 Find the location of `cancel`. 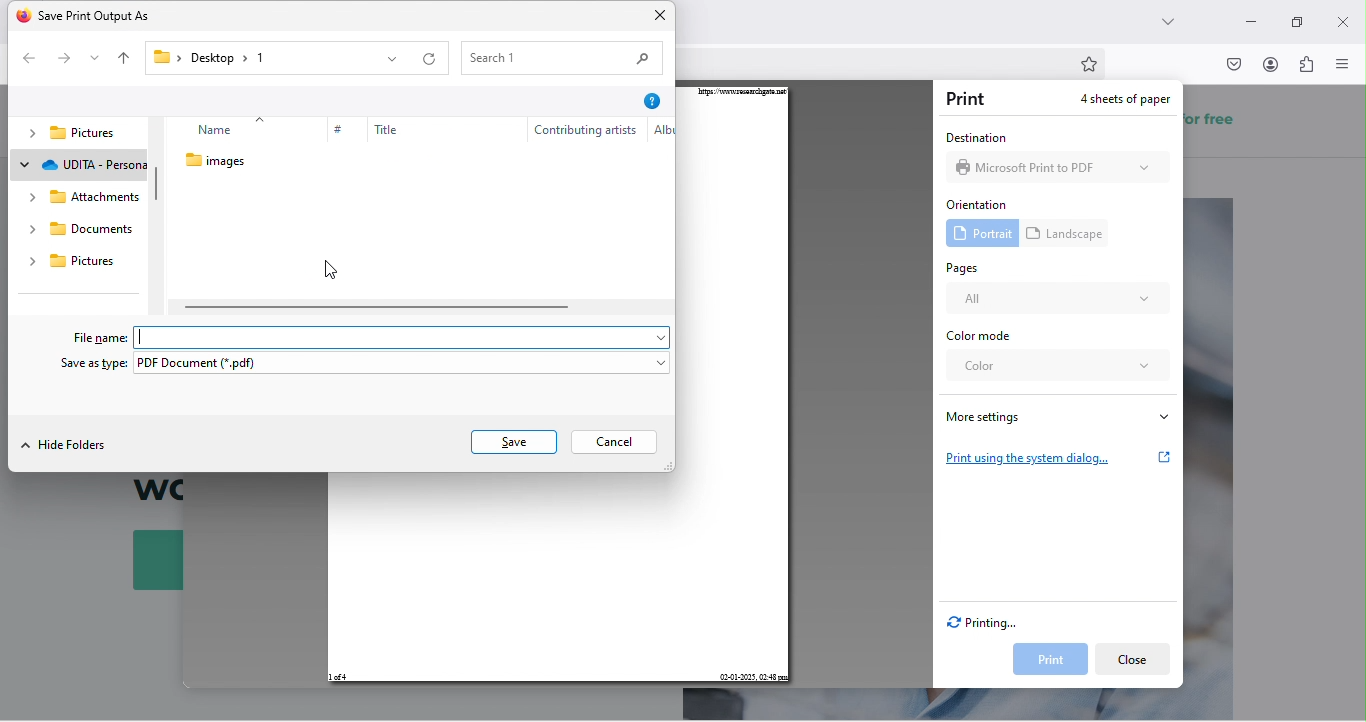

cancel is located at coordinates (619, 441).